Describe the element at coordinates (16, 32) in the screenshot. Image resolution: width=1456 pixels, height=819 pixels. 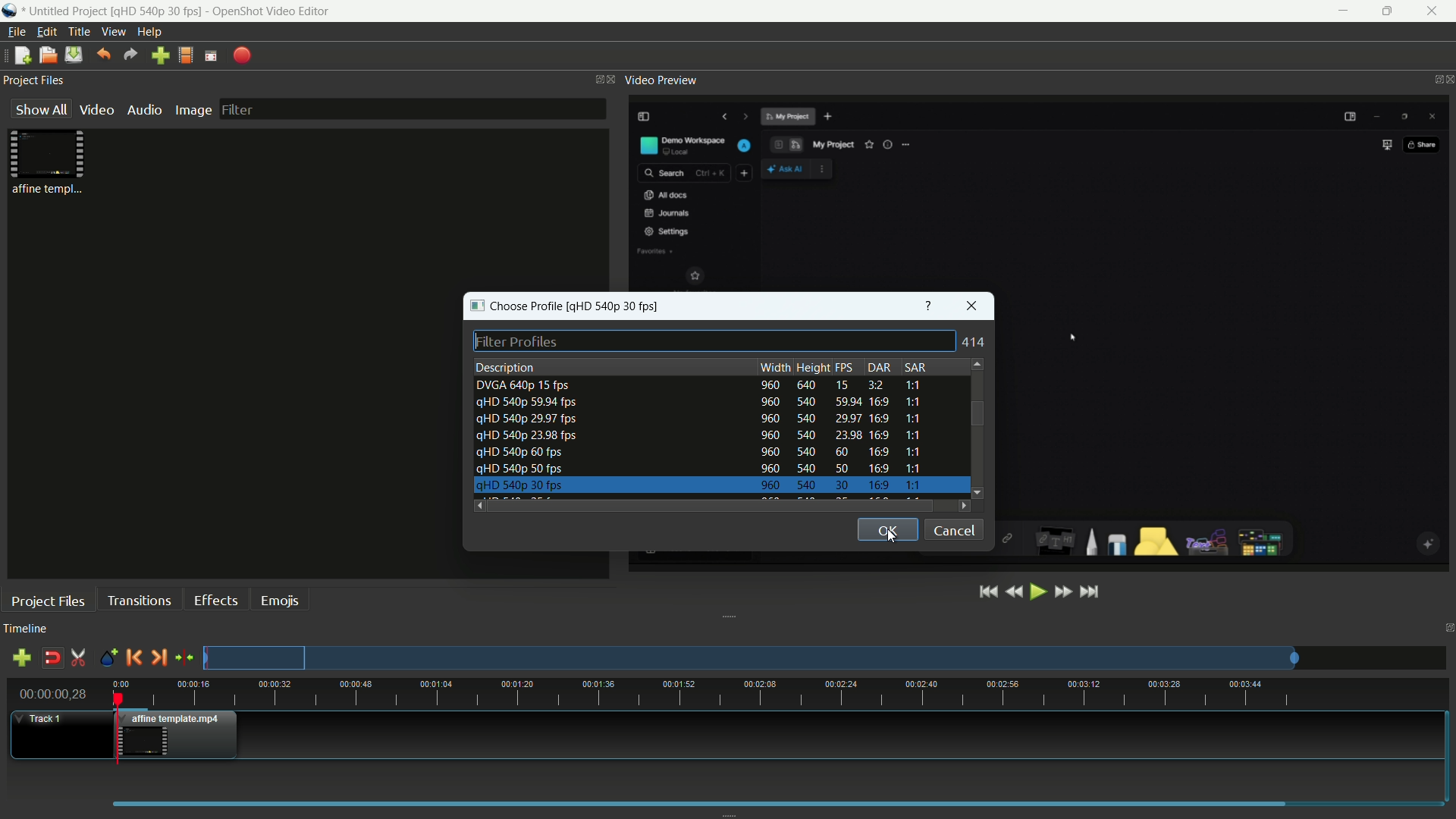
I see `file menu` at that location.